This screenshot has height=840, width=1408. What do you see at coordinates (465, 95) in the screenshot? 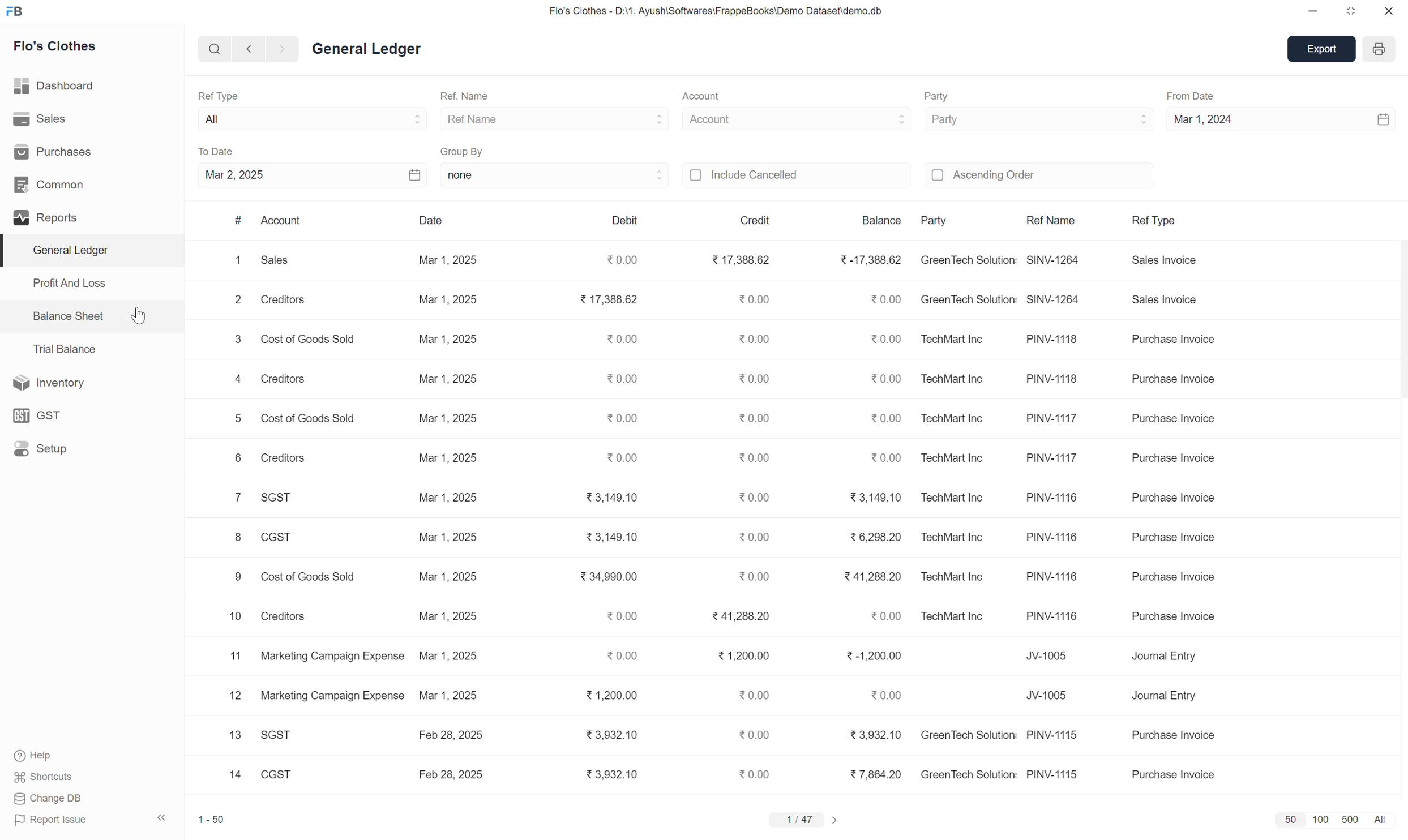
I see `Ref. Name` at bounding box center [465, 95].